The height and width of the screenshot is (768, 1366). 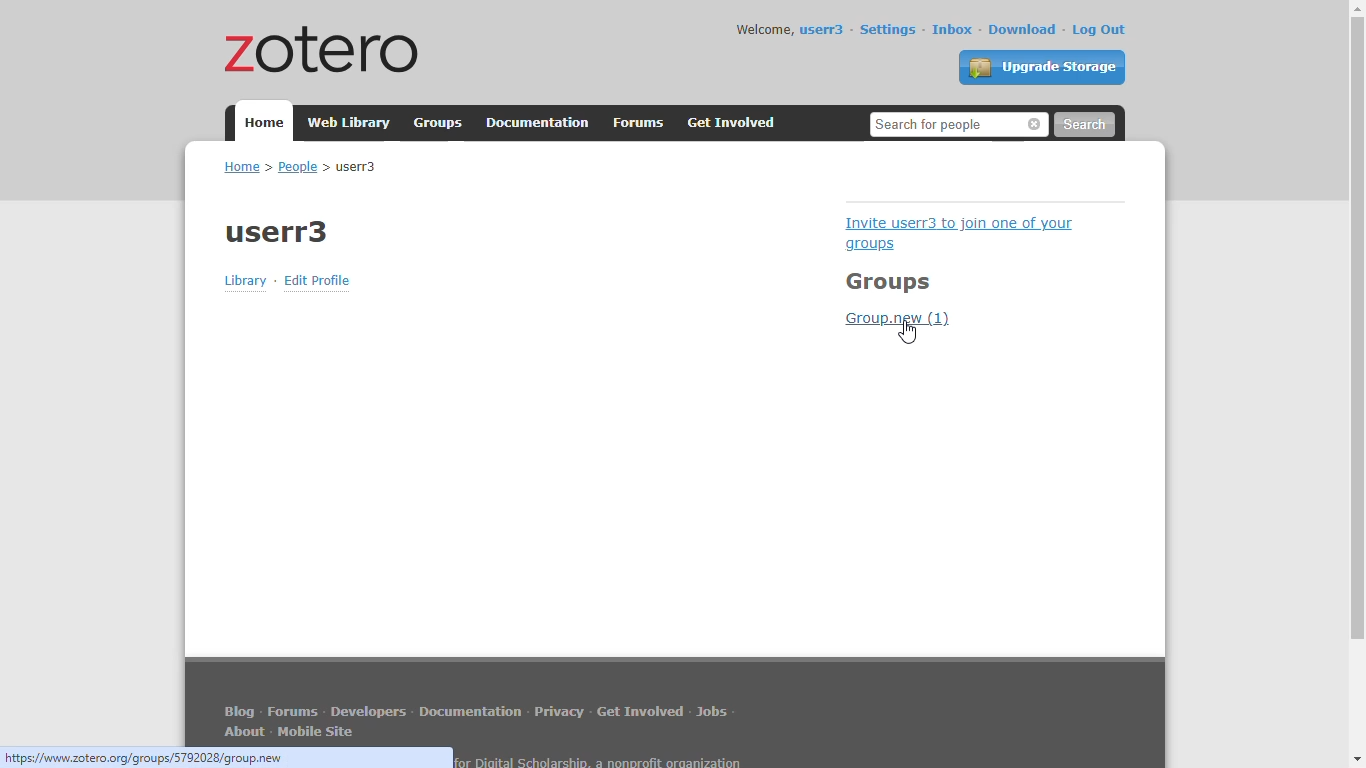 What do you see at coordinates (229, 757) in the screenshot?
I see `link` at bounding box center [229, 757].